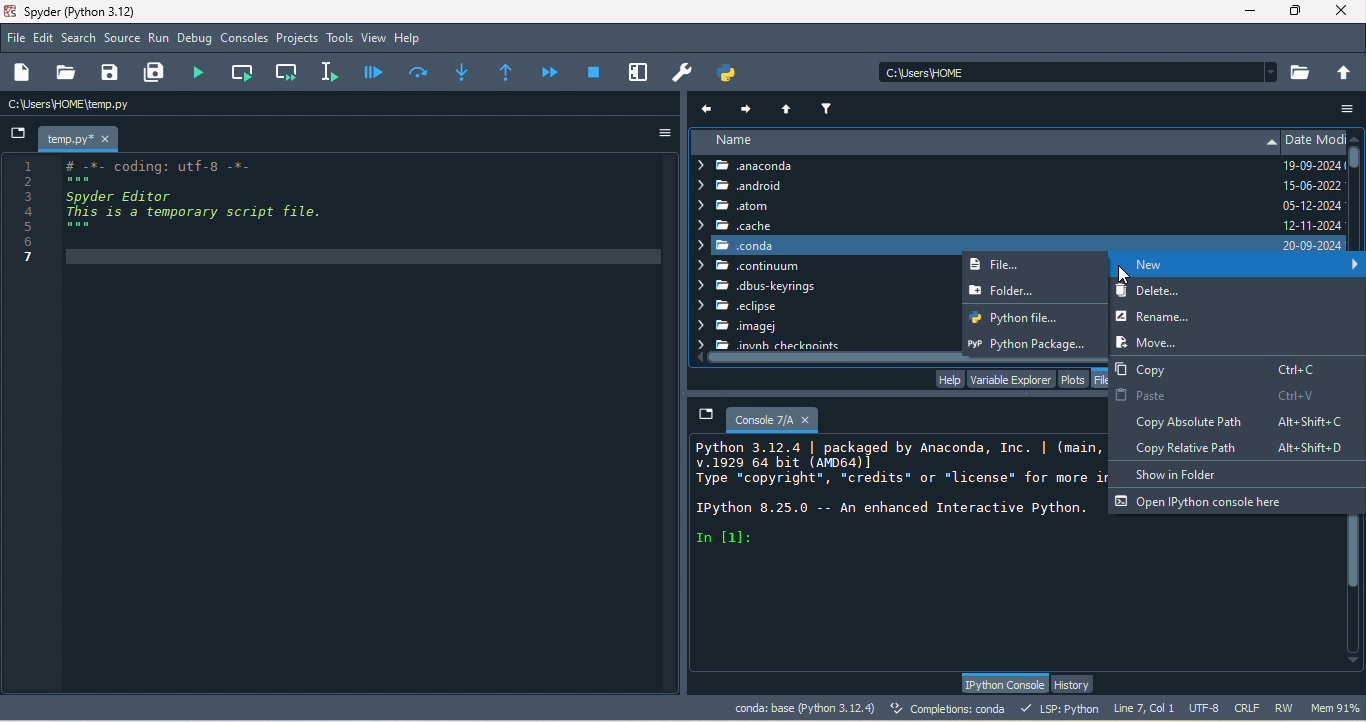 This screenshot has width=1366, height=722. I want to click on utf 8, so click(1206, 709).